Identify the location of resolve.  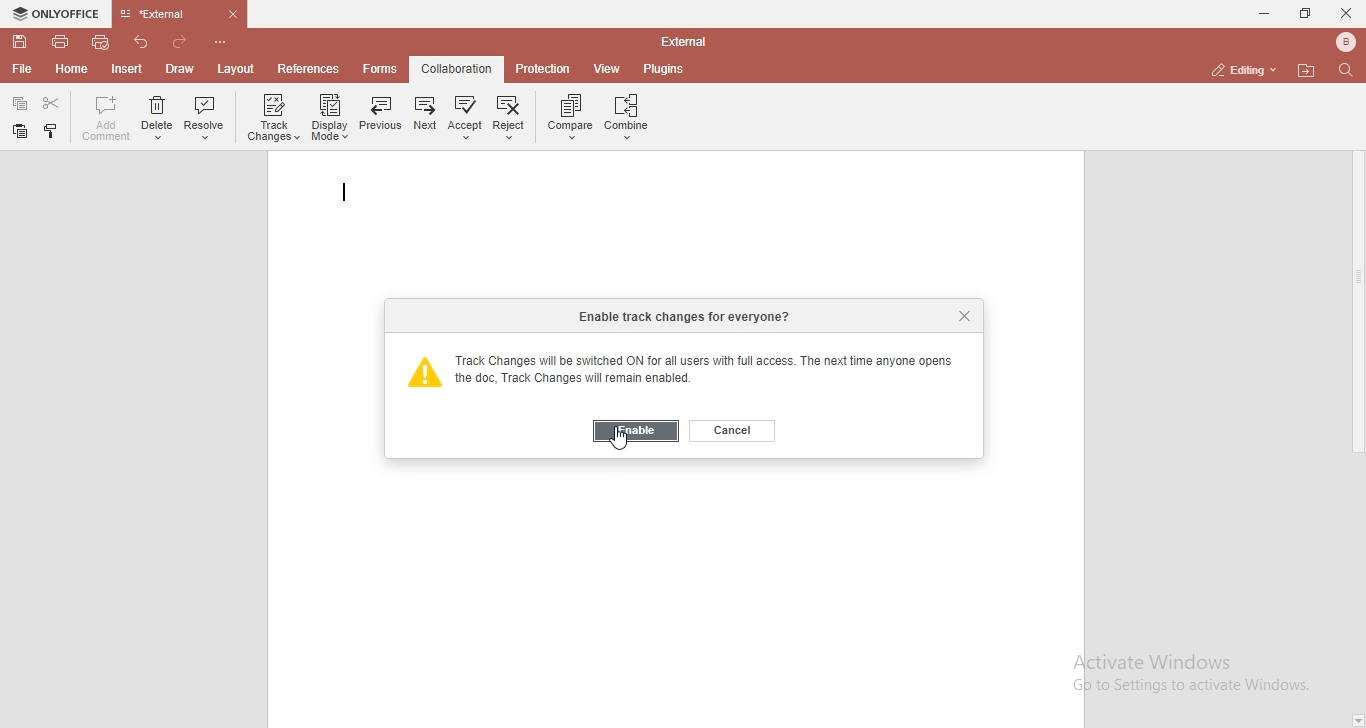
(205, 121).